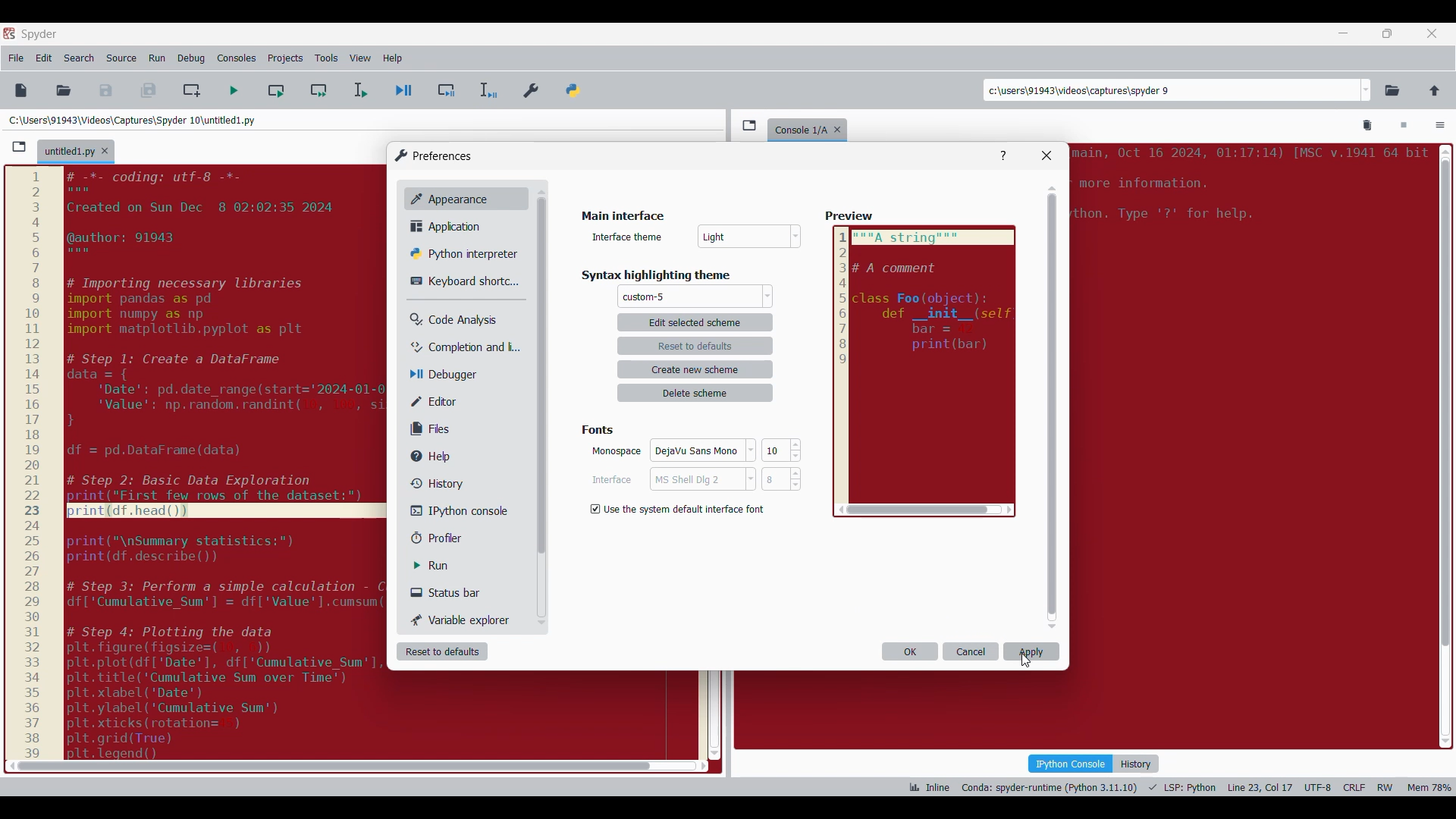 This screenshot has height=819, width=1456. Describe the element at coordinates (285, 58) in the screenshot. I see `Projects menu` at that location.